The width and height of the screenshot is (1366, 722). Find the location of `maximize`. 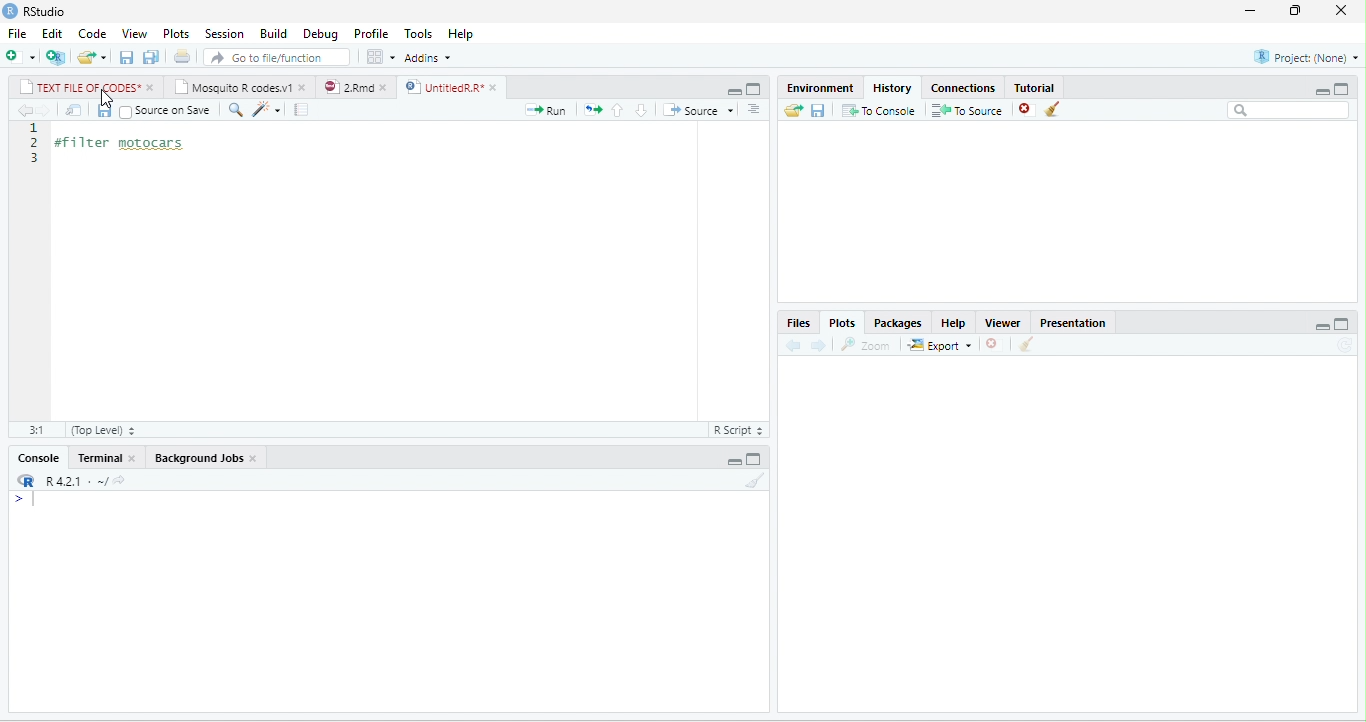

maximize is located at coordinates (753, 89).